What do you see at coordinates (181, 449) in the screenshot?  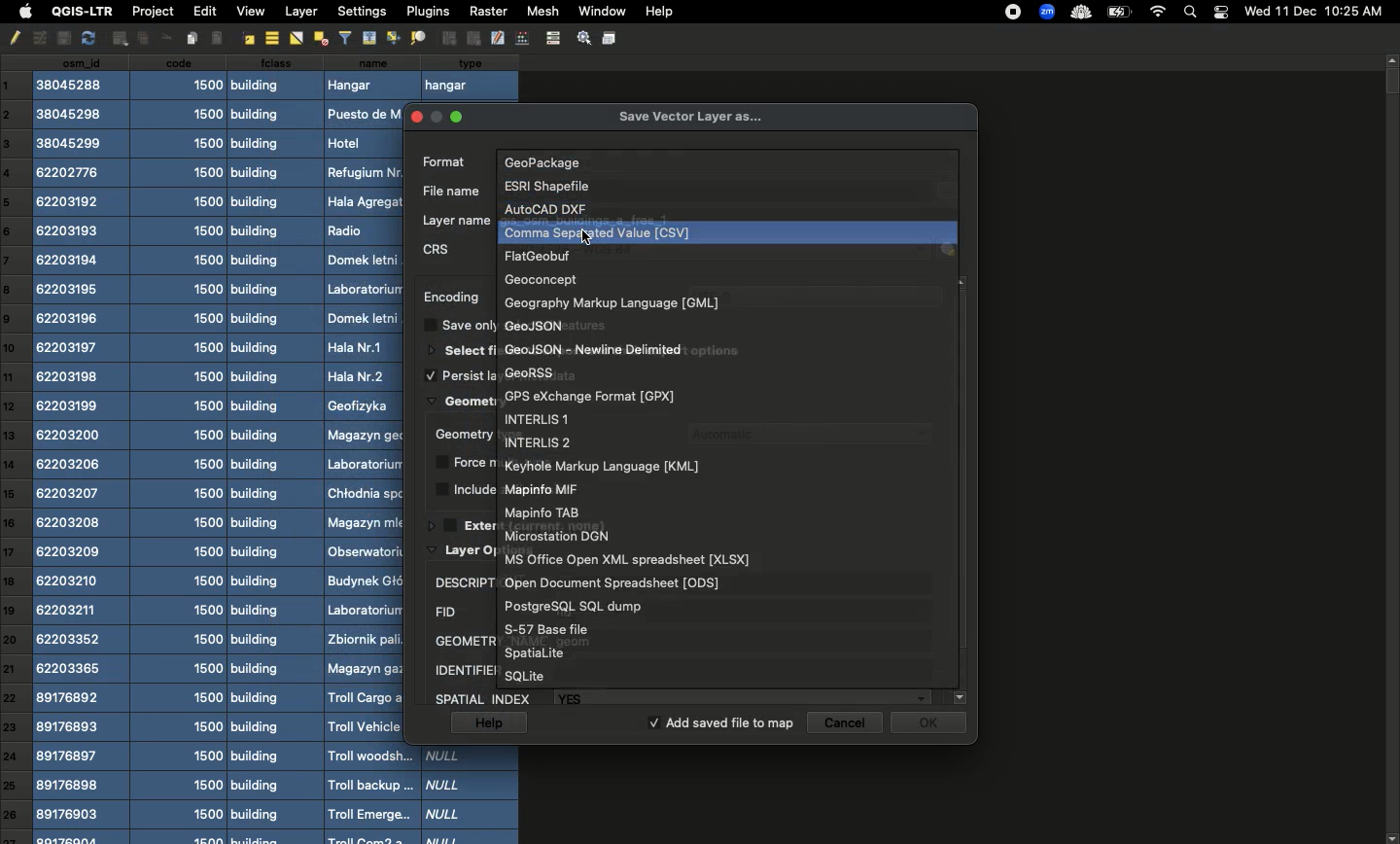 I see `code` at bounding box center [181, 449].